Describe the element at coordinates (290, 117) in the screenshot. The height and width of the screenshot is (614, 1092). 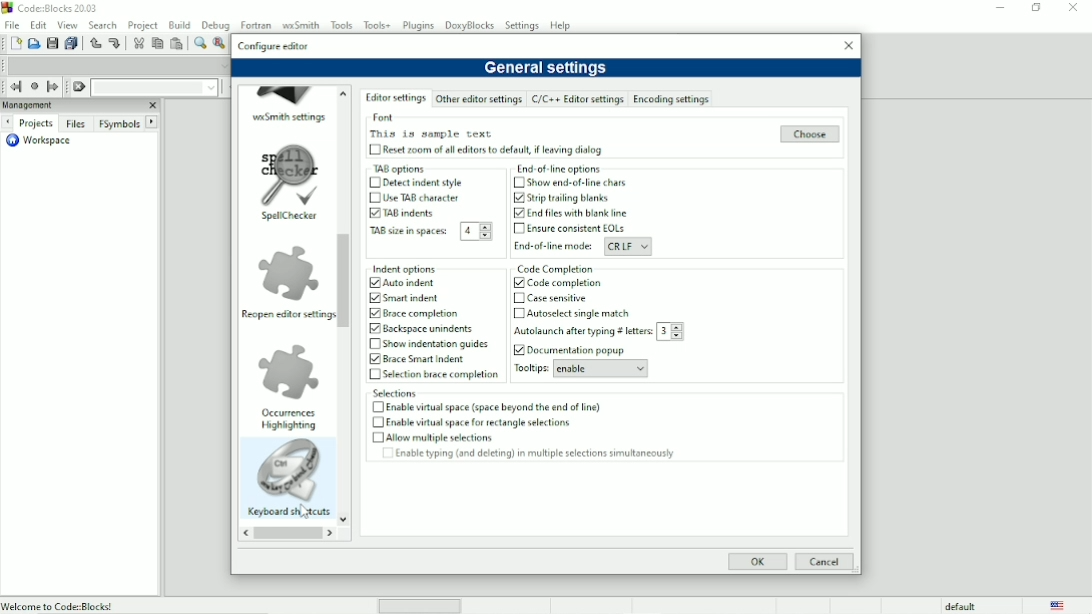
I see `wxSmith settings` at that location.